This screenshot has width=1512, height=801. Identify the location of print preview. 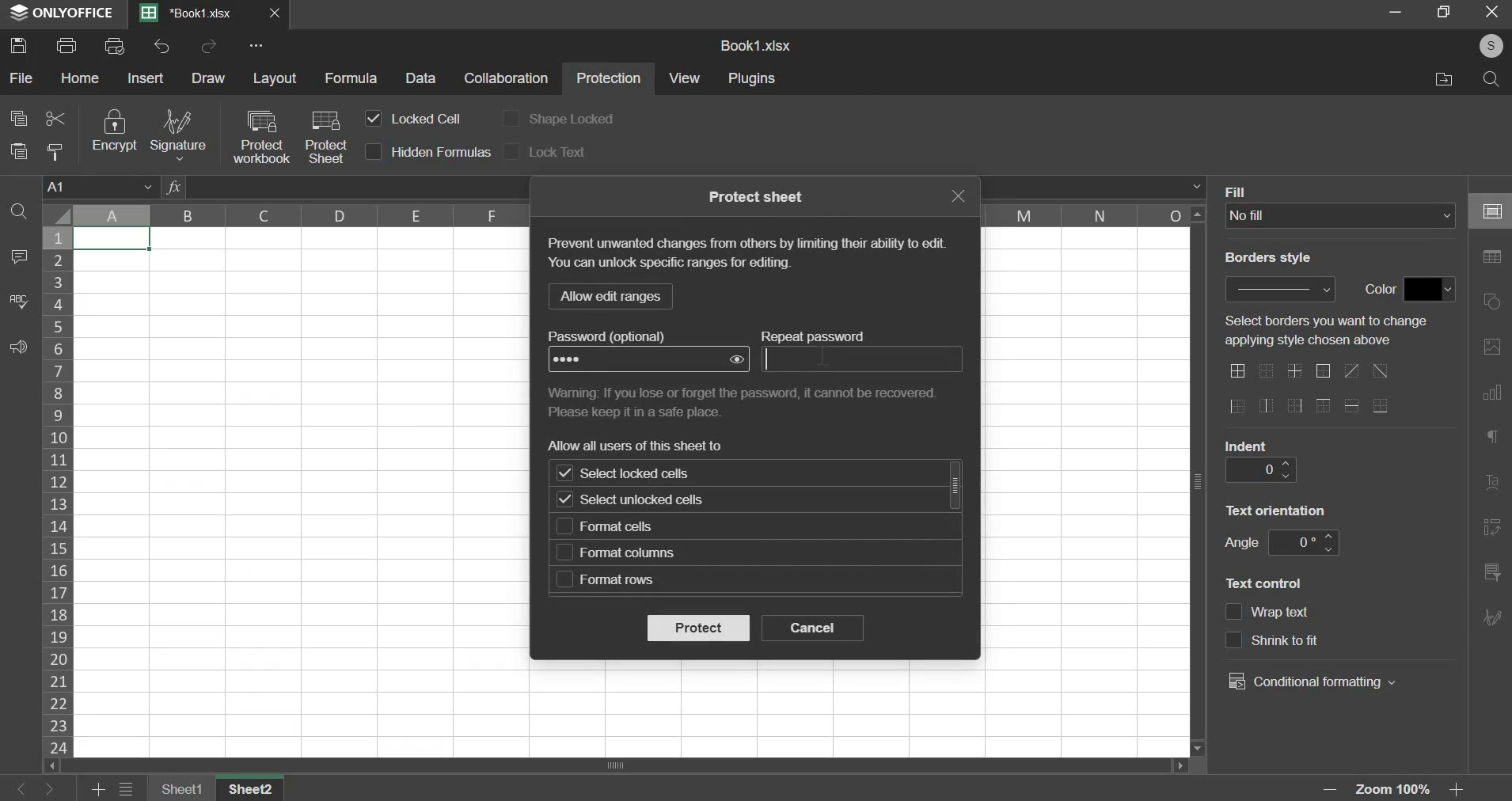
(113, 44).